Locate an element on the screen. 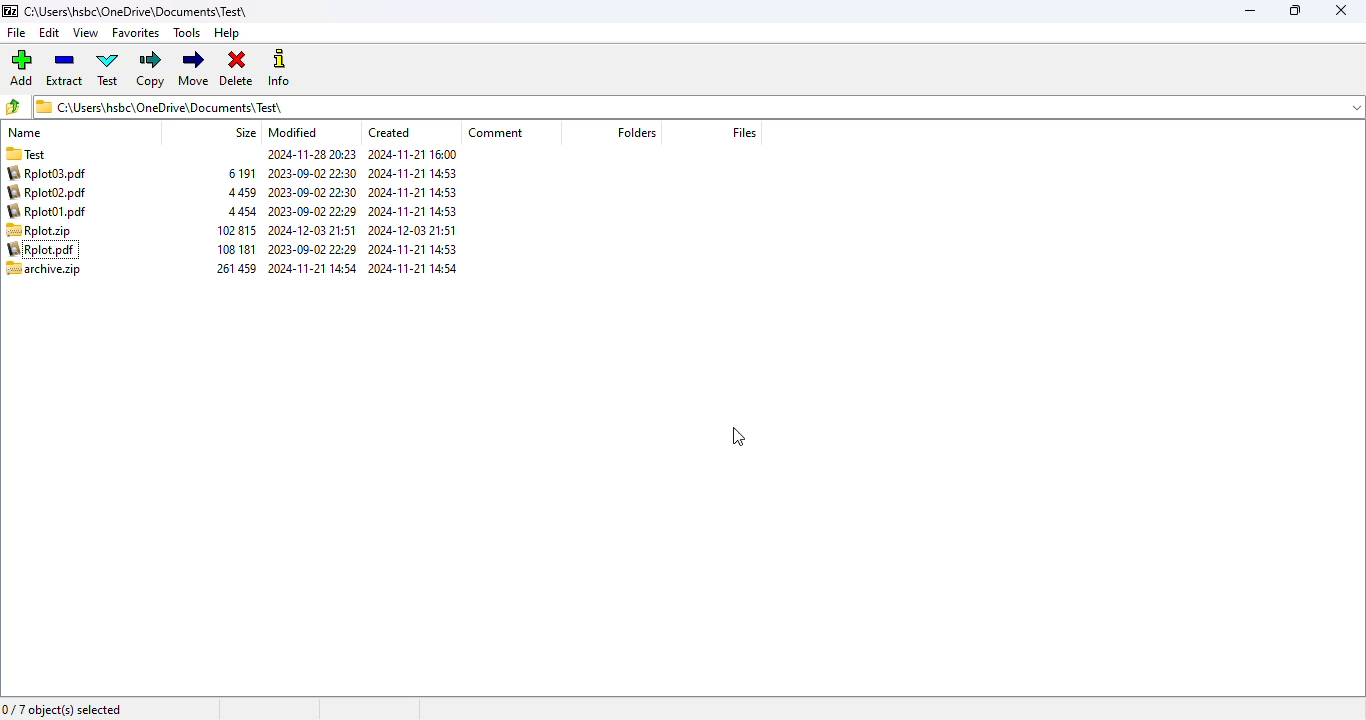 The height and width of the screenshot is (720, 1366). current folder is located at coordinates (137, 11).